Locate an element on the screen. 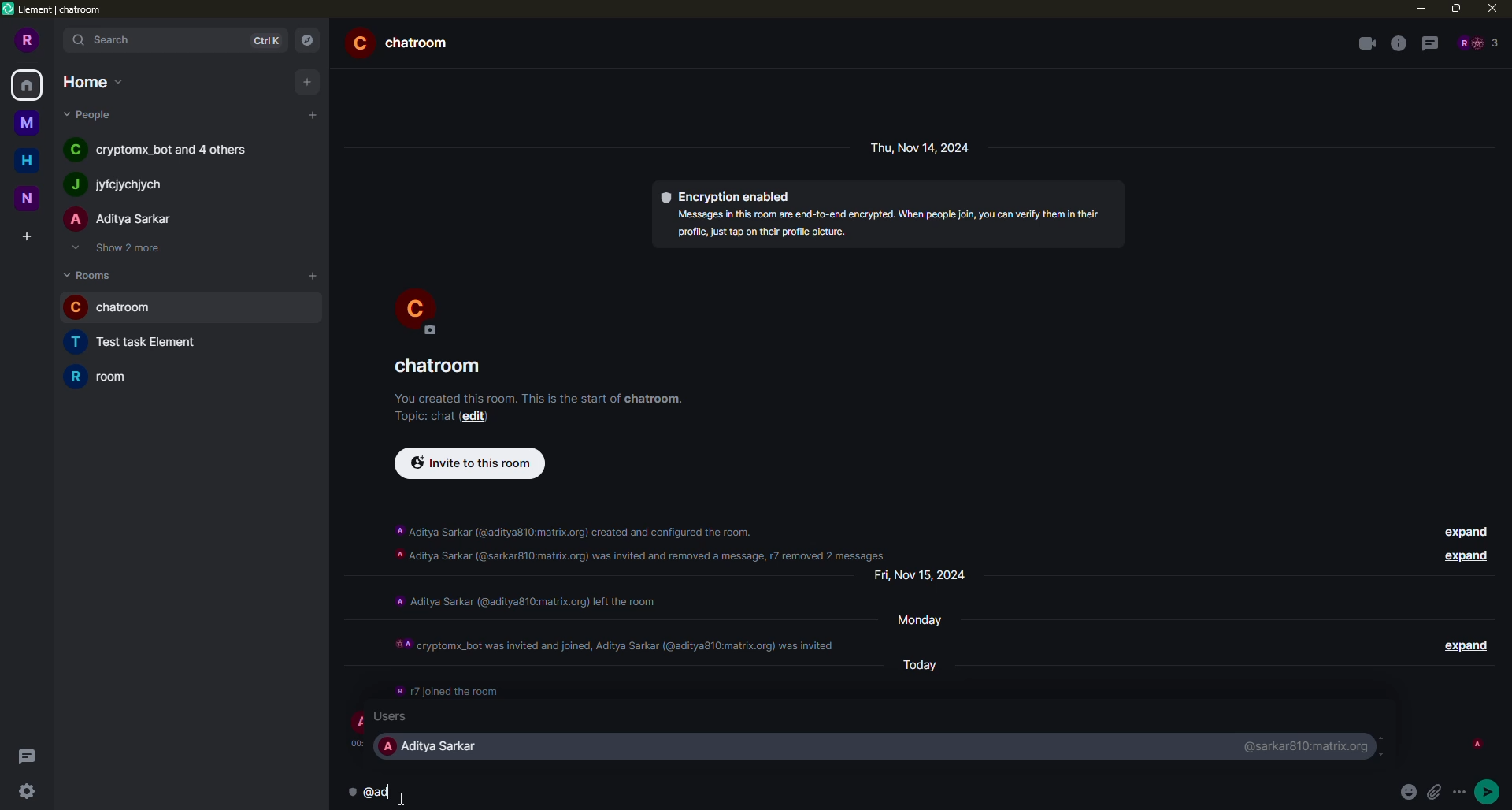  info is located at coordinates (539, 396).